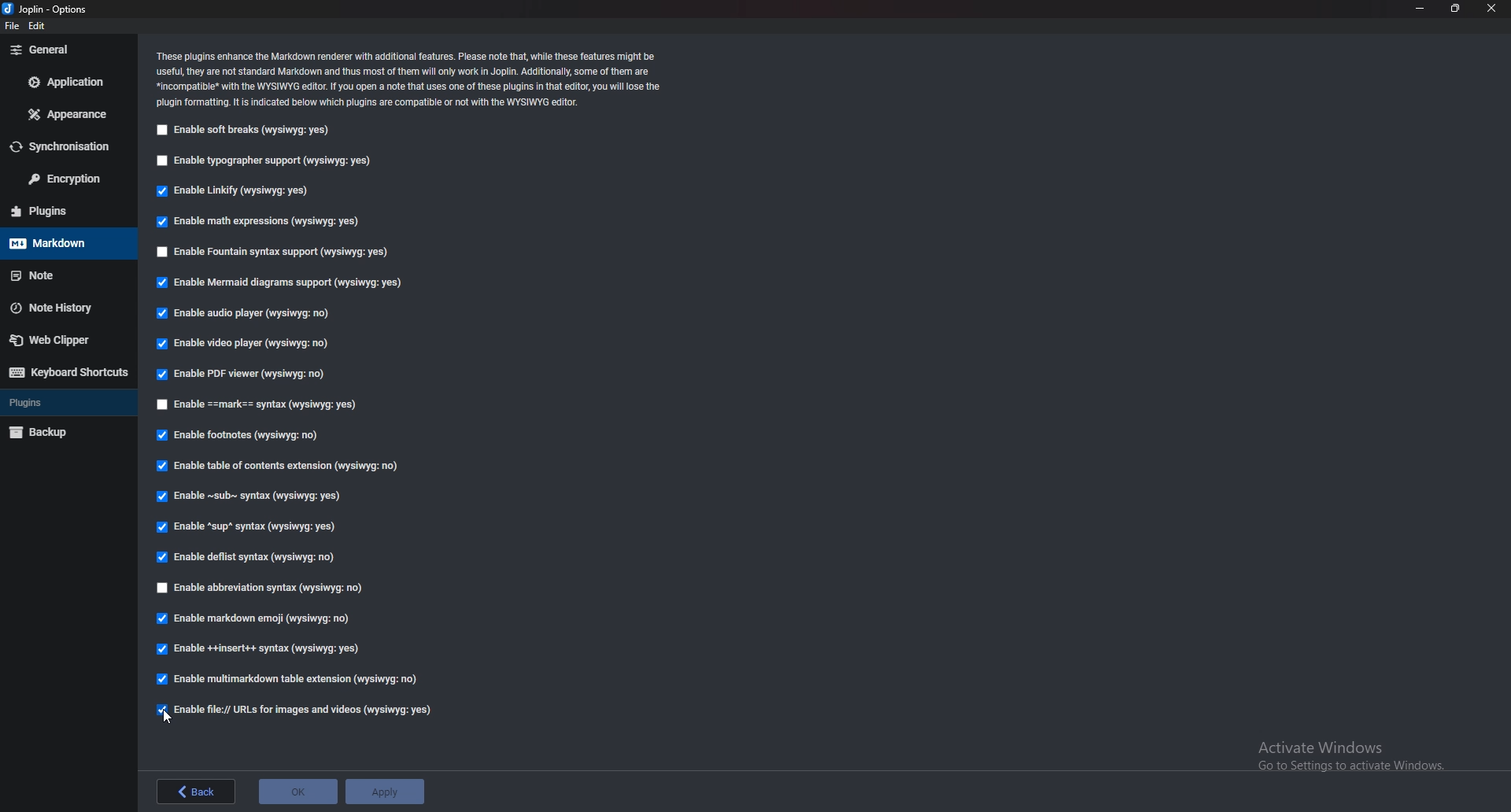 The width and height of the screenshot is (1511, 812). I want to click on note, so click(61, 273).